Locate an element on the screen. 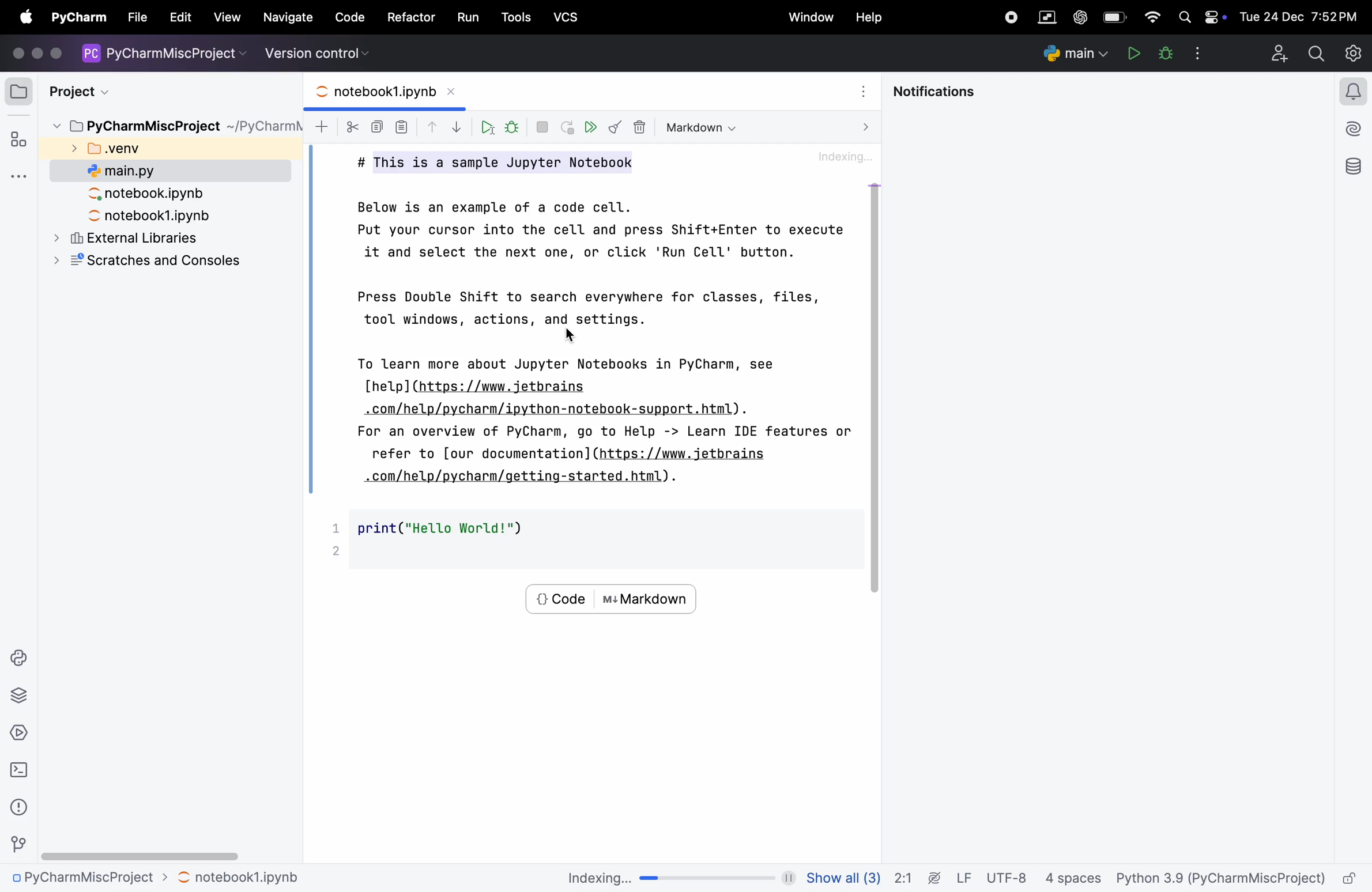 The width and height of the screenshot is (1372, 892). 4 spaces is located at coordinates (1071, 875).